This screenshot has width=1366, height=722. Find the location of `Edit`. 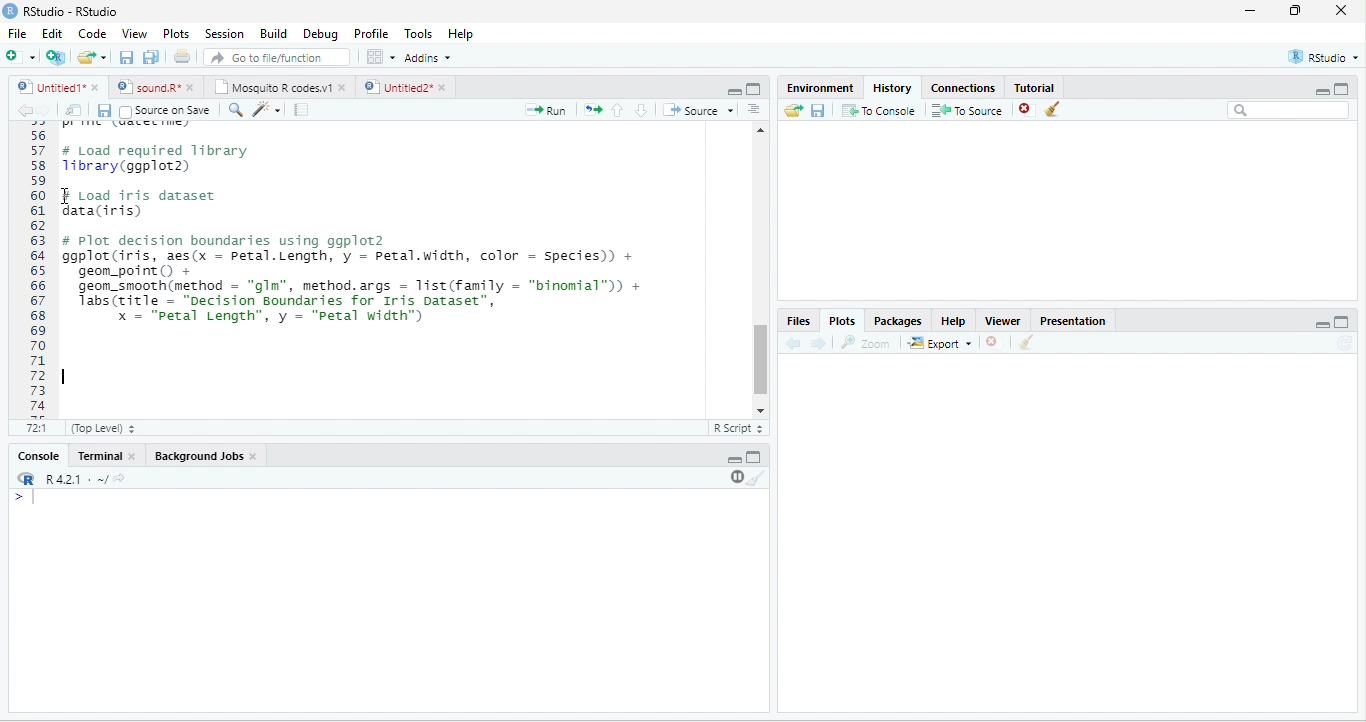

Edit is located at coordinates (52, 32).